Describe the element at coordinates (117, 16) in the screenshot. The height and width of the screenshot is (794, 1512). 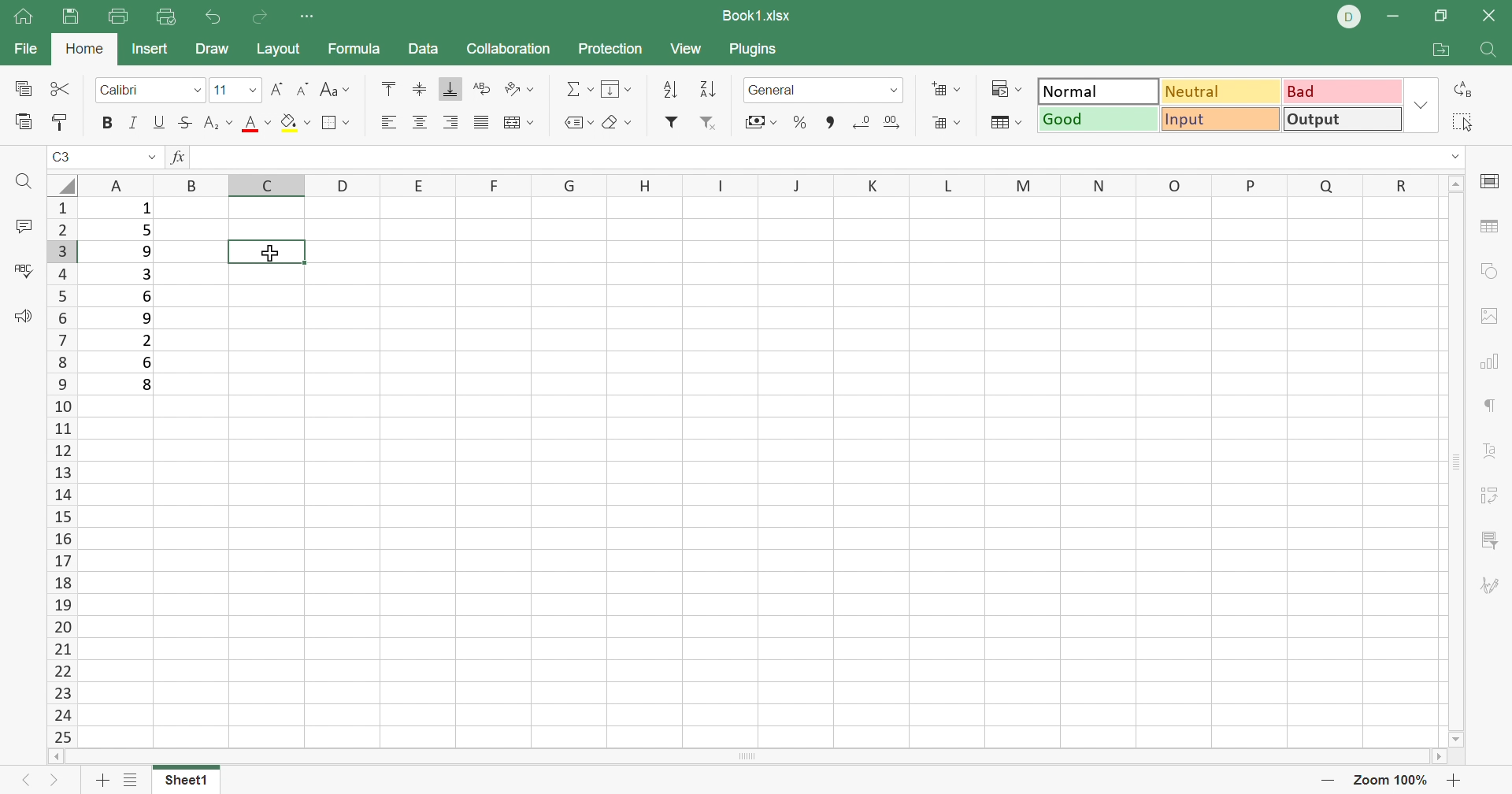
I see `Print file` at that location.